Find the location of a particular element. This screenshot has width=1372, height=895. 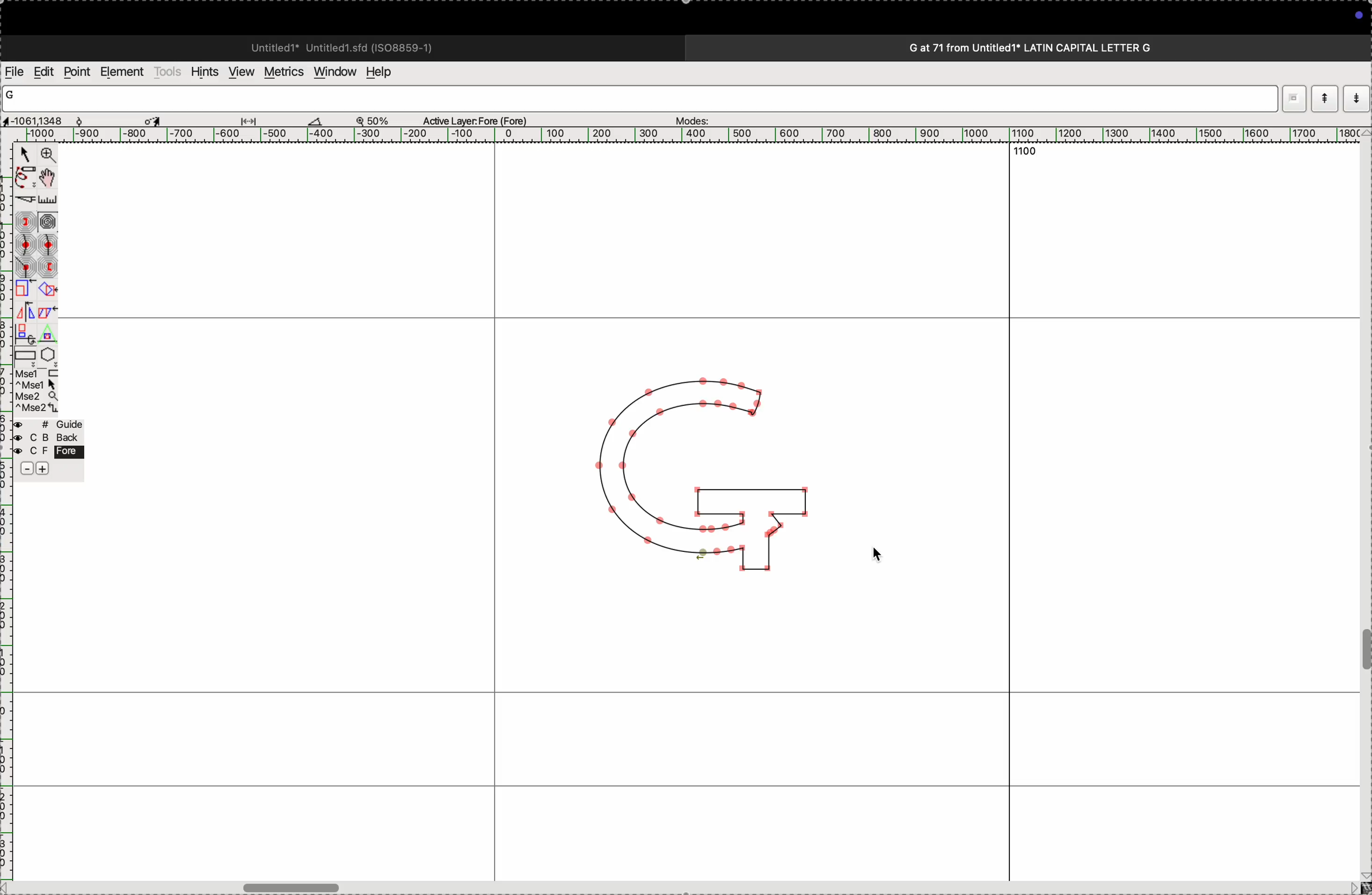

vertical scrollbar is located at coordinates (1363, 508).